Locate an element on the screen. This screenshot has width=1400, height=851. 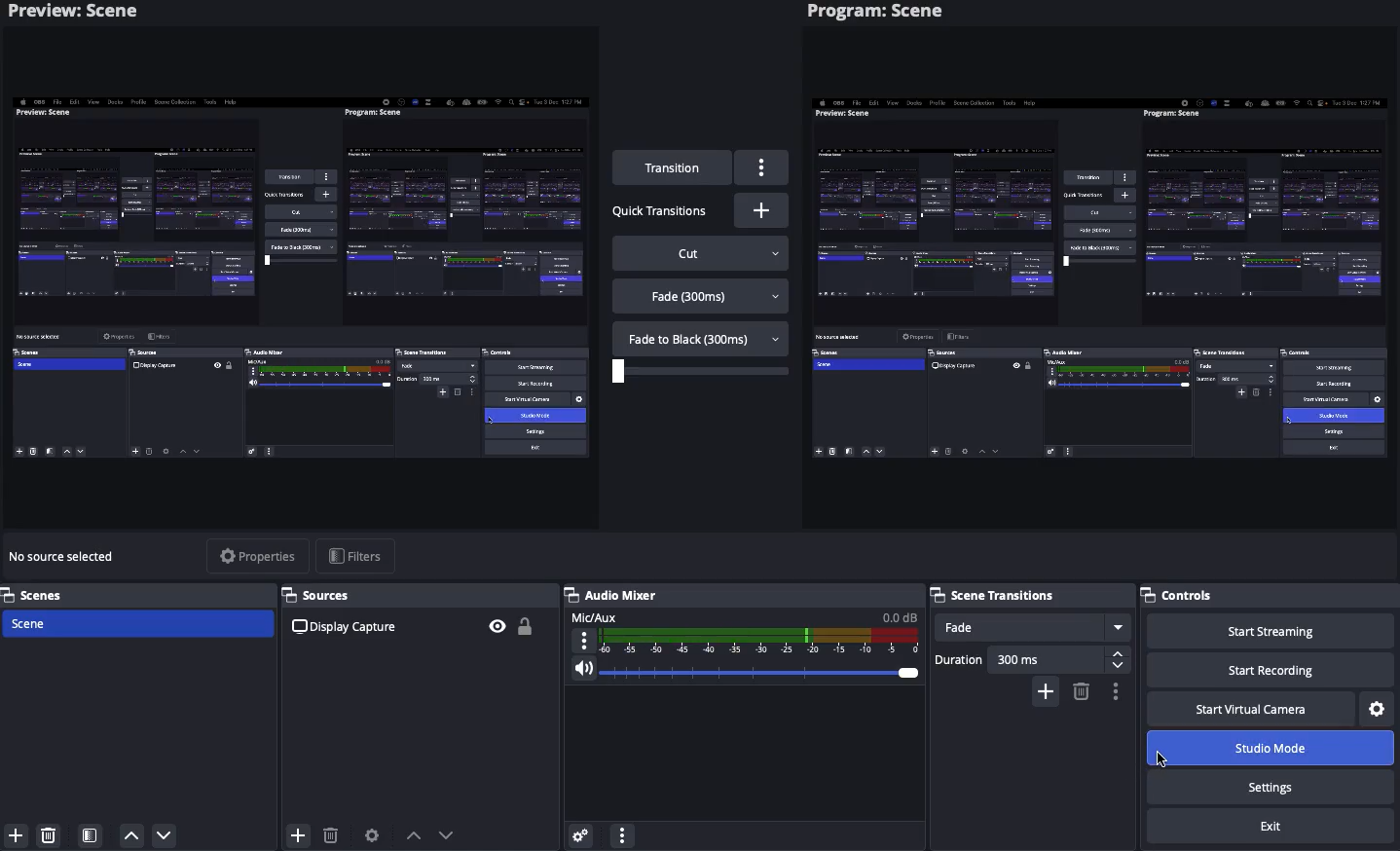
Fade is located at coordinates (1032, 626).